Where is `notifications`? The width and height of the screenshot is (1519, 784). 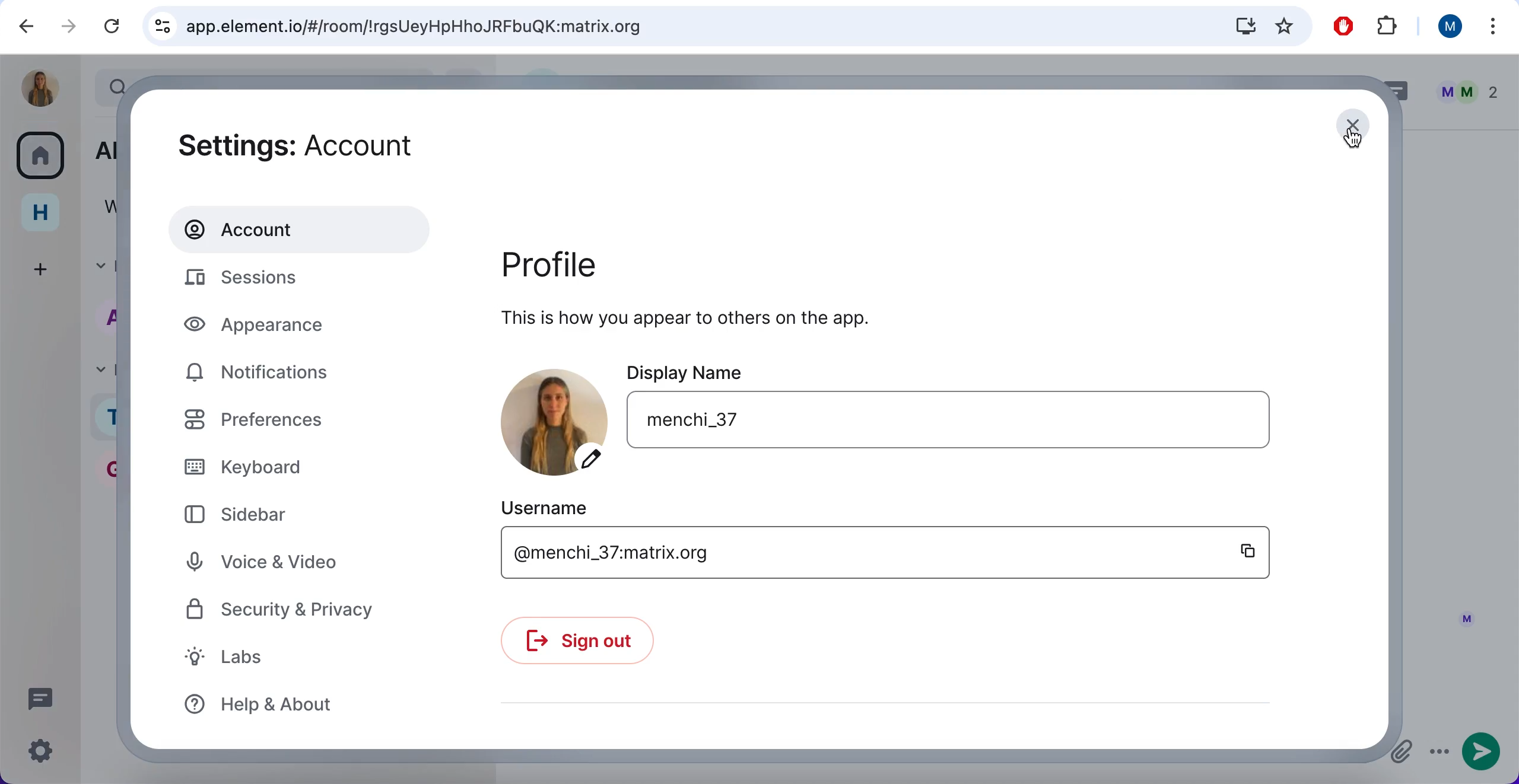
notifications is located at coordinates (281, 375).